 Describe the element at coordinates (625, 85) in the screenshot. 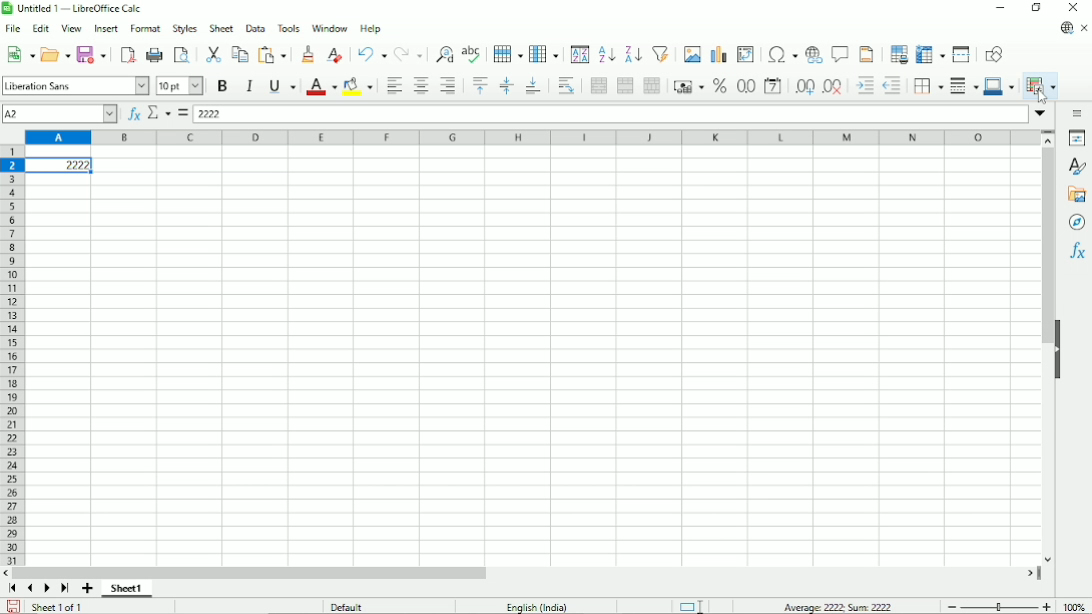

I see `Merge cells` at that location.